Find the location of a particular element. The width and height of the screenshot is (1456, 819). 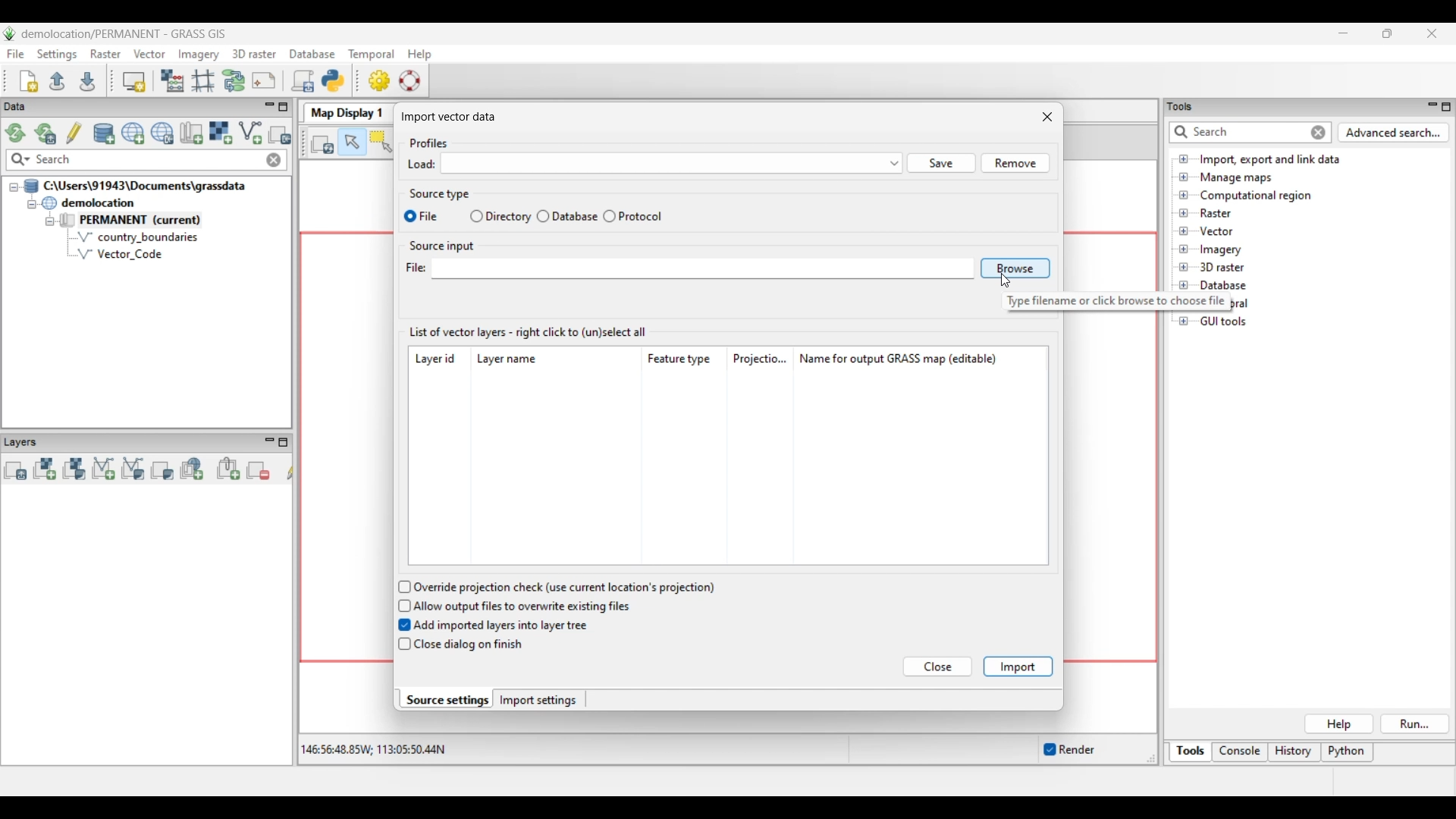

Double click to see files under Raster is located at coordinates (1216, 213).